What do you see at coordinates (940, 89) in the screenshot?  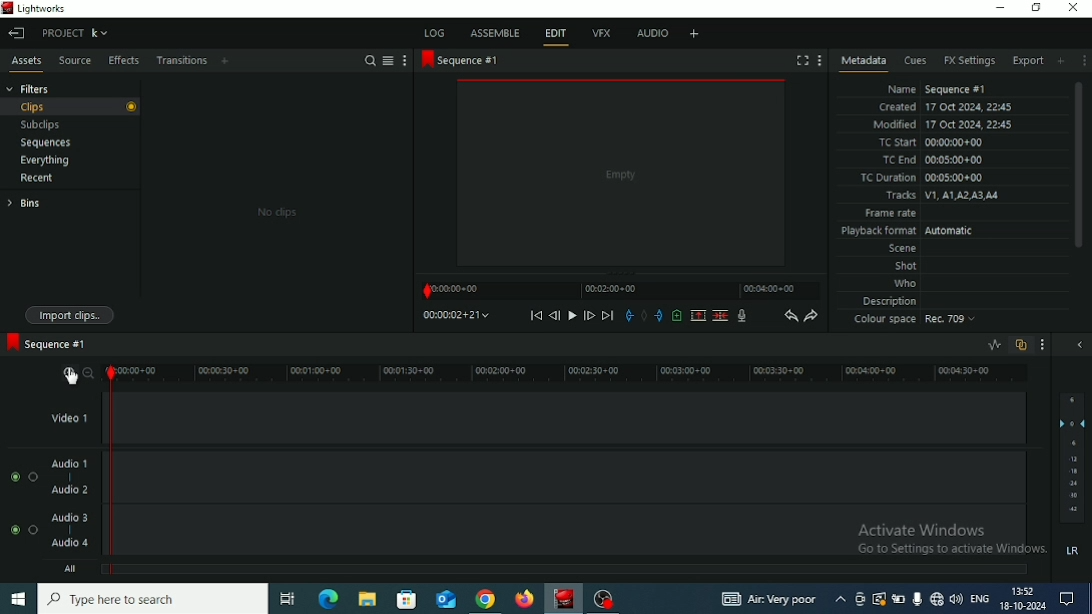 I see `Name` at bounding box center [940, 89].